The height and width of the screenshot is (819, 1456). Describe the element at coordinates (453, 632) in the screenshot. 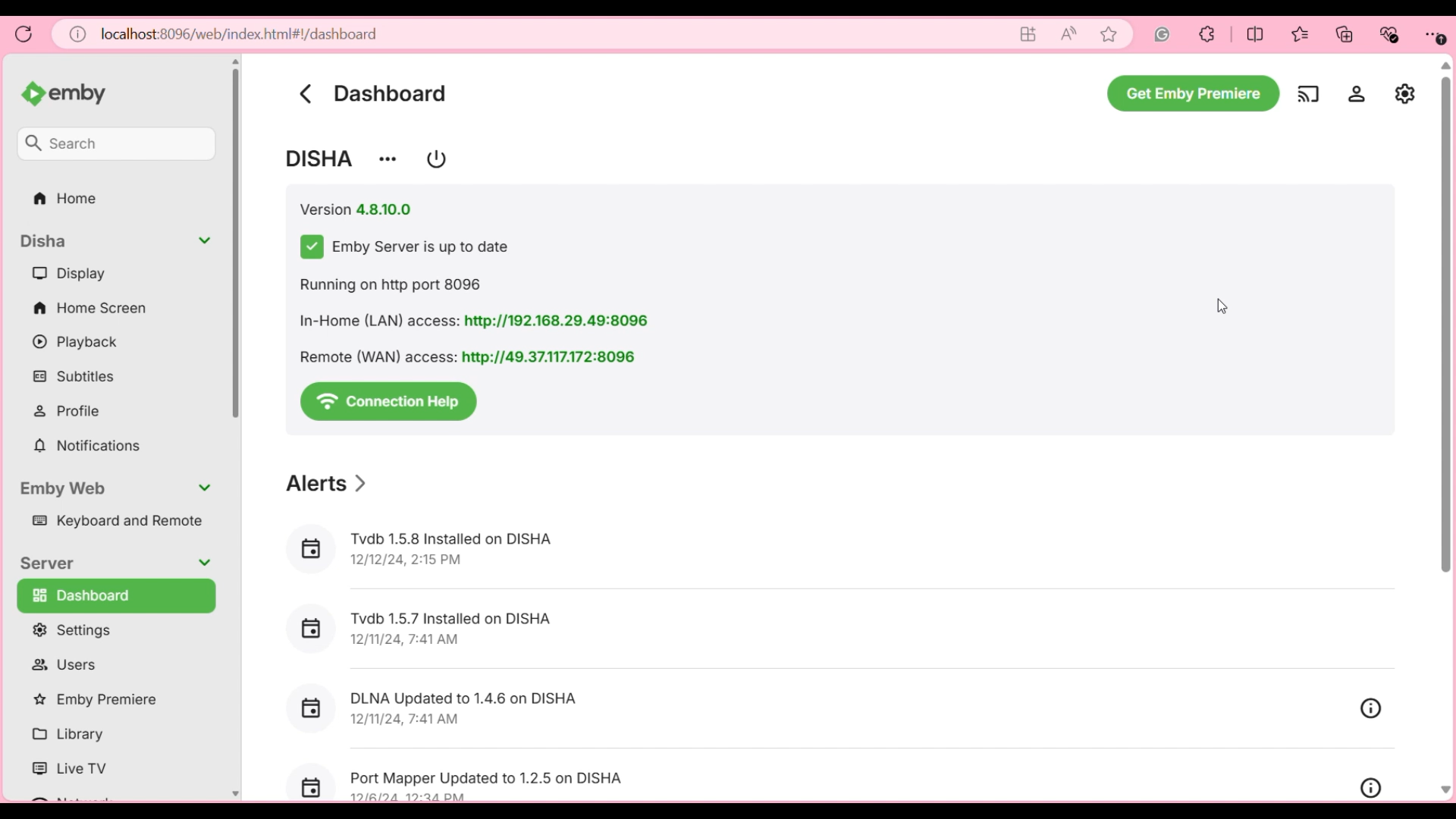

I see `Tvdb 1.5.7 Installed on DISHA
12/1/24, 7:41 AM` at that location.